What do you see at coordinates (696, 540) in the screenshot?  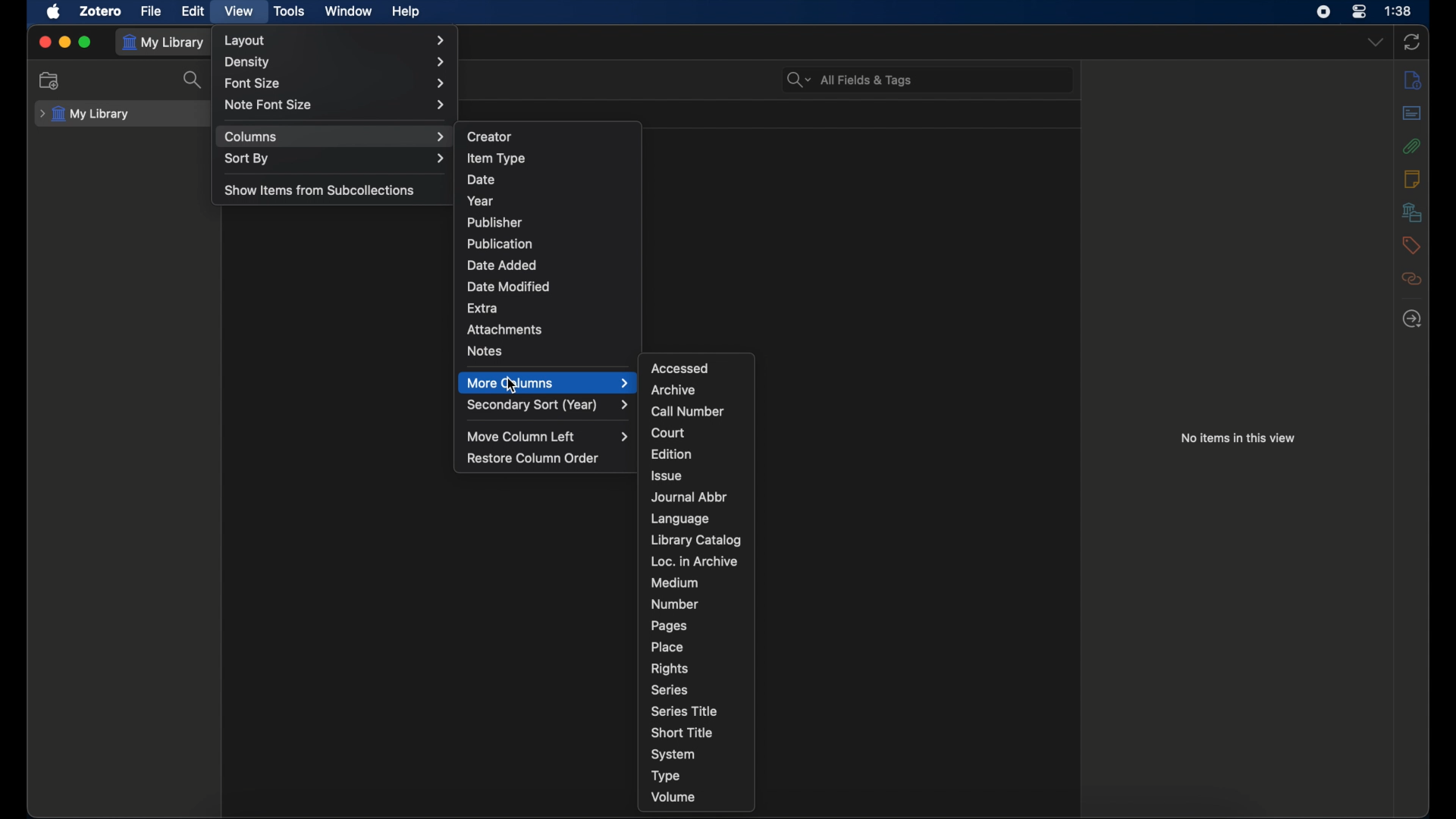 I see `library catalog` at bounding box center [696, 540].